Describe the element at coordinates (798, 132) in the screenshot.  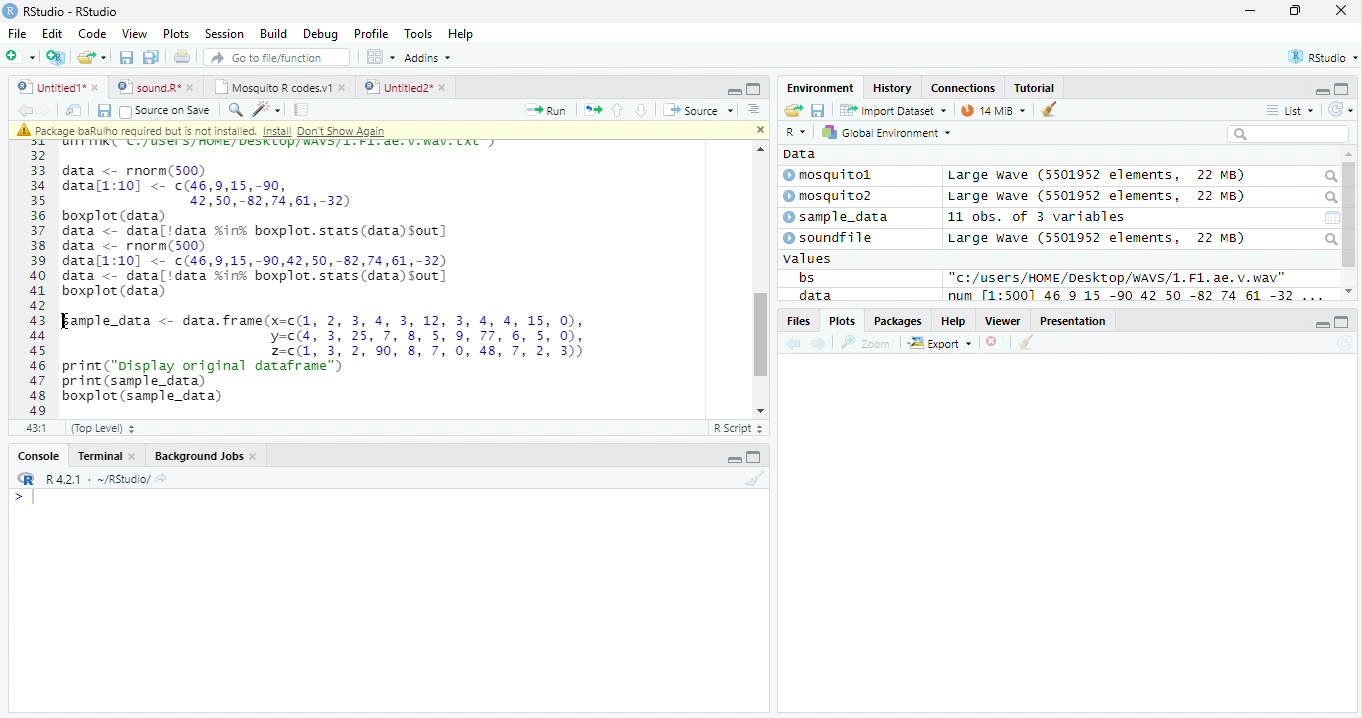
I see `R` at that location.